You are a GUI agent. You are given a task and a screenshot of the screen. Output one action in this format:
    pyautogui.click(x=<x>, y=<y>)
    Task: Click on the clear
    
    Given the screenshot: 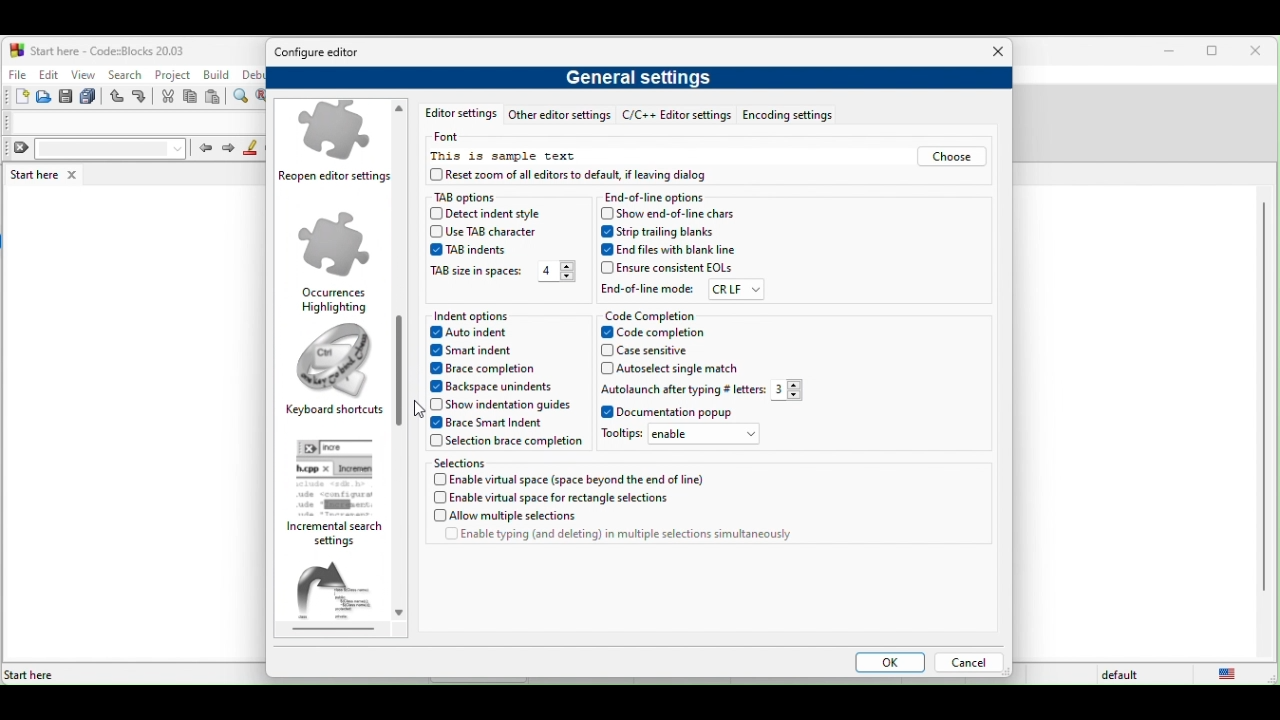 What is the action you would take?
    pyautogui.click(x=96, y=149)
    